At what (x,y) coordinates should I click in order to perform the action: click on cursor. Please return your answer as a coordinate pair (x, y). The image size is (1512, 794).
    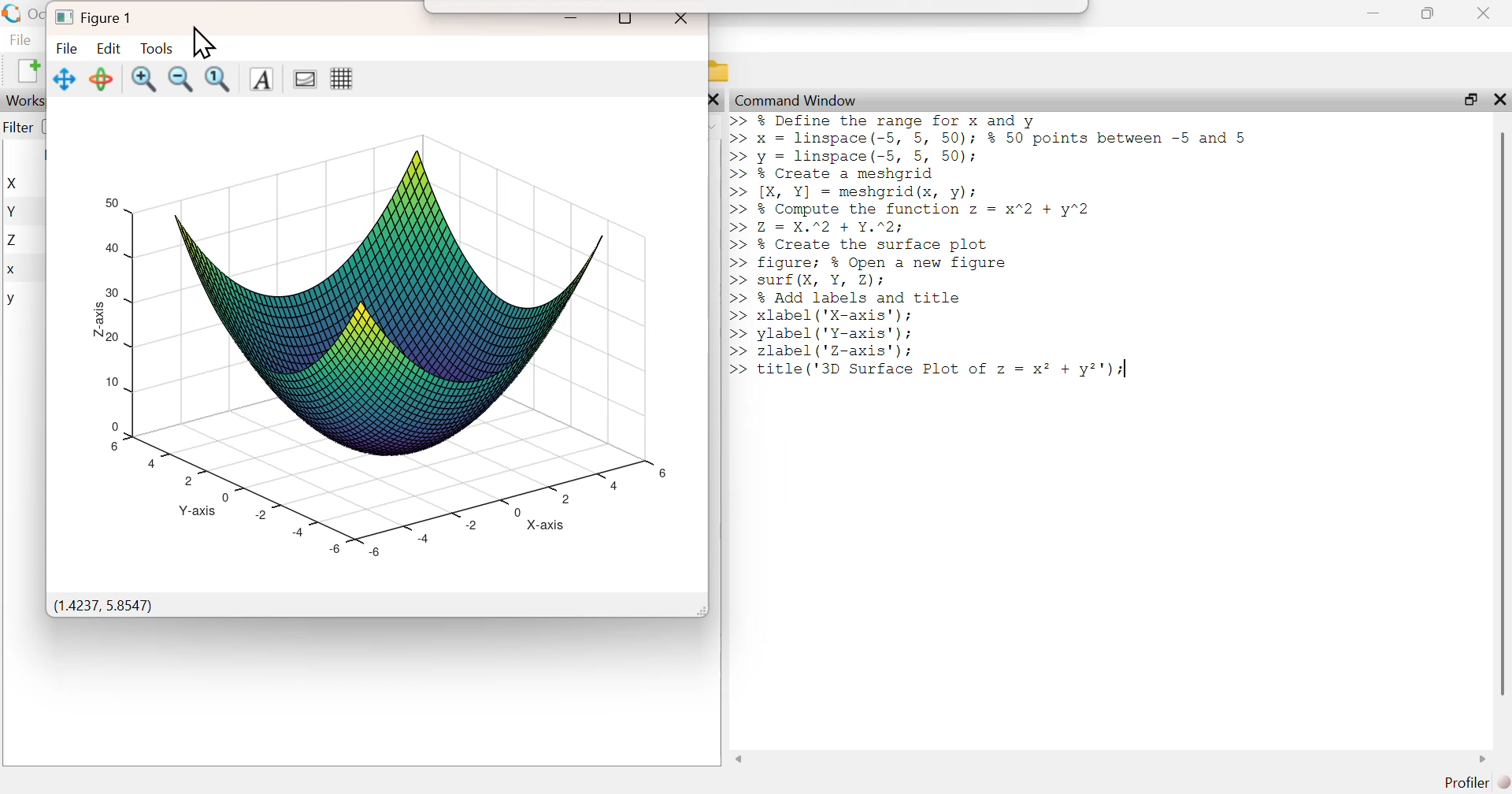
    Looking at the image, I should click on (205, 43).